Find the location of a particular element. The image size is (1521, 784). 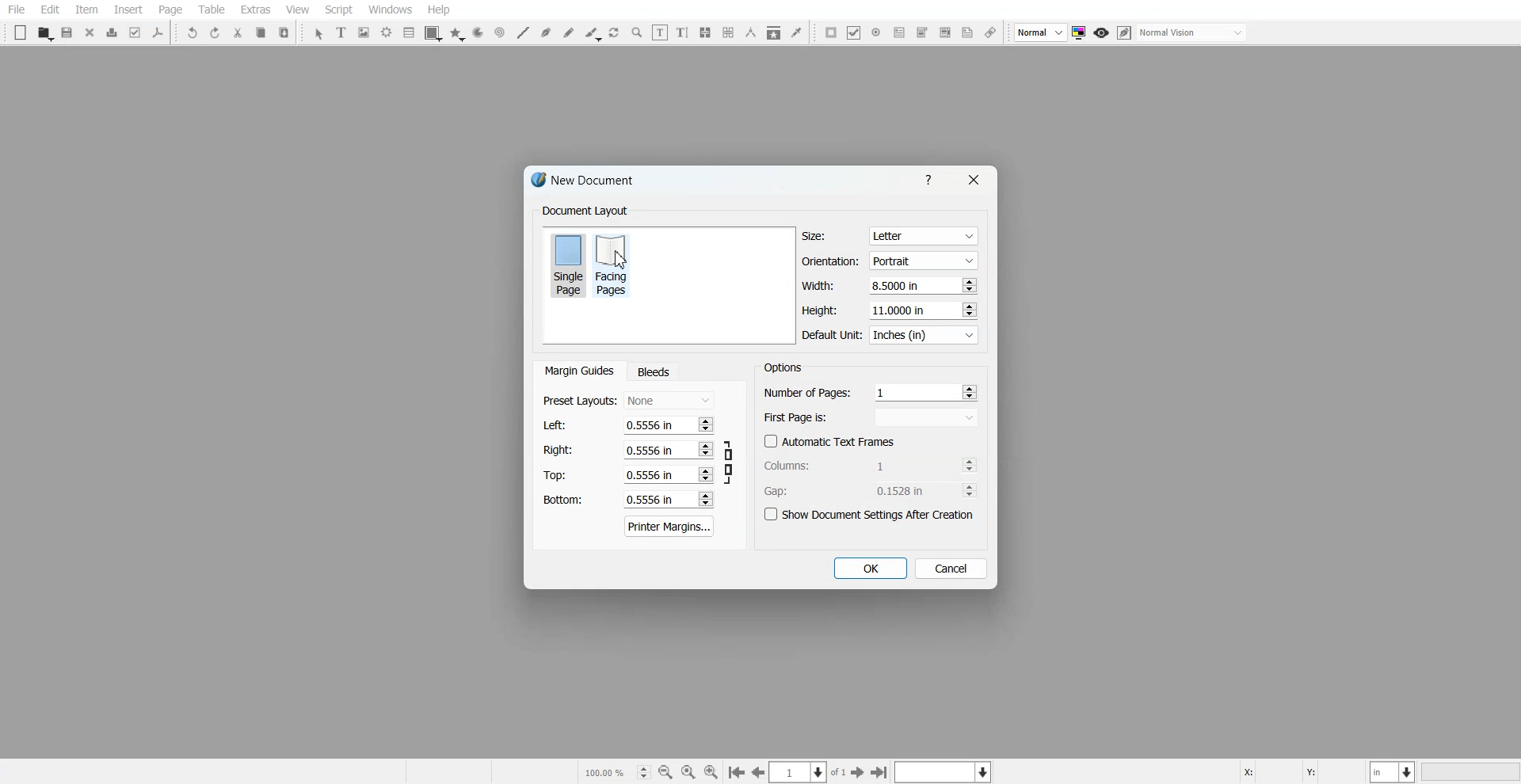

View is located at coordinates (297, 10).